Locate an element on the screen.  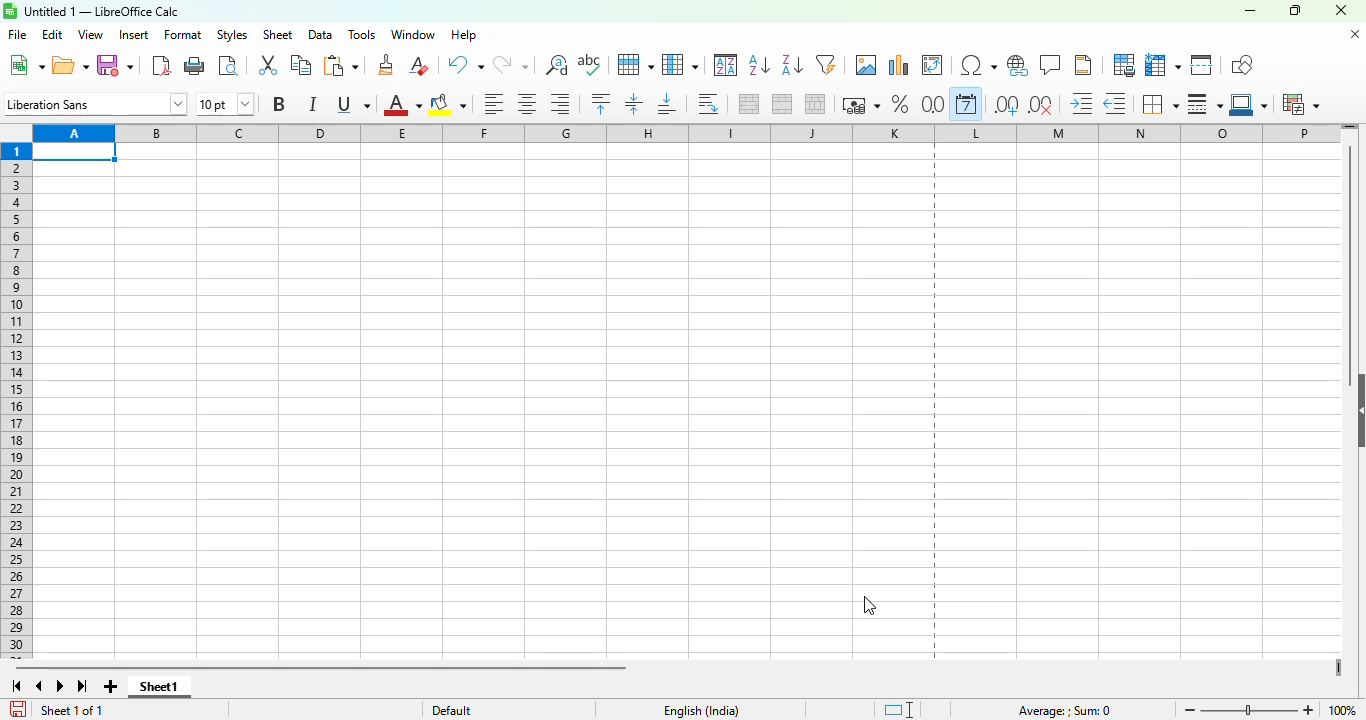
align bottom is located at coordinates (667, 104).